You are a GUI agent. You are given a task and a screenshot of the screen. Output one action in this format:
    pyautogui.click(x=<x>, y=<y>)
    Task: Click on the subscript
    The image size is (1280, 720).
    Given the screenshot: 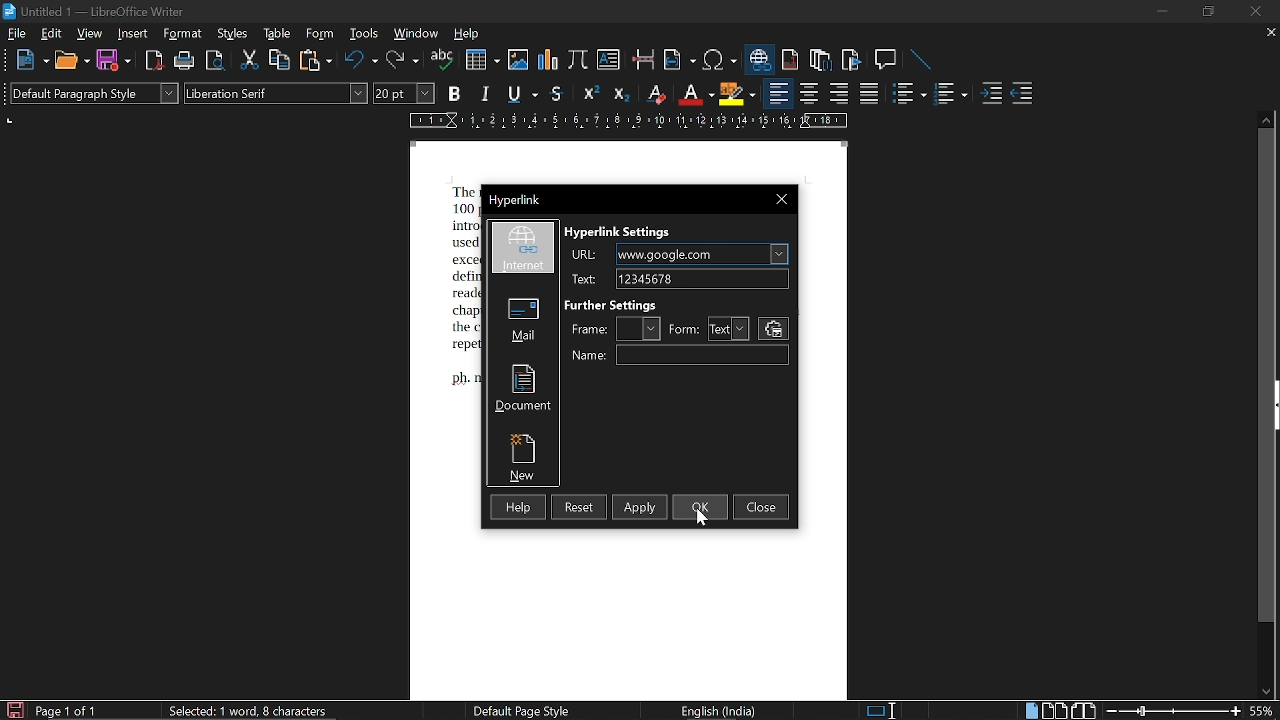 What is the action you would take?
    pyautogui.click(x=619, y=94)
    